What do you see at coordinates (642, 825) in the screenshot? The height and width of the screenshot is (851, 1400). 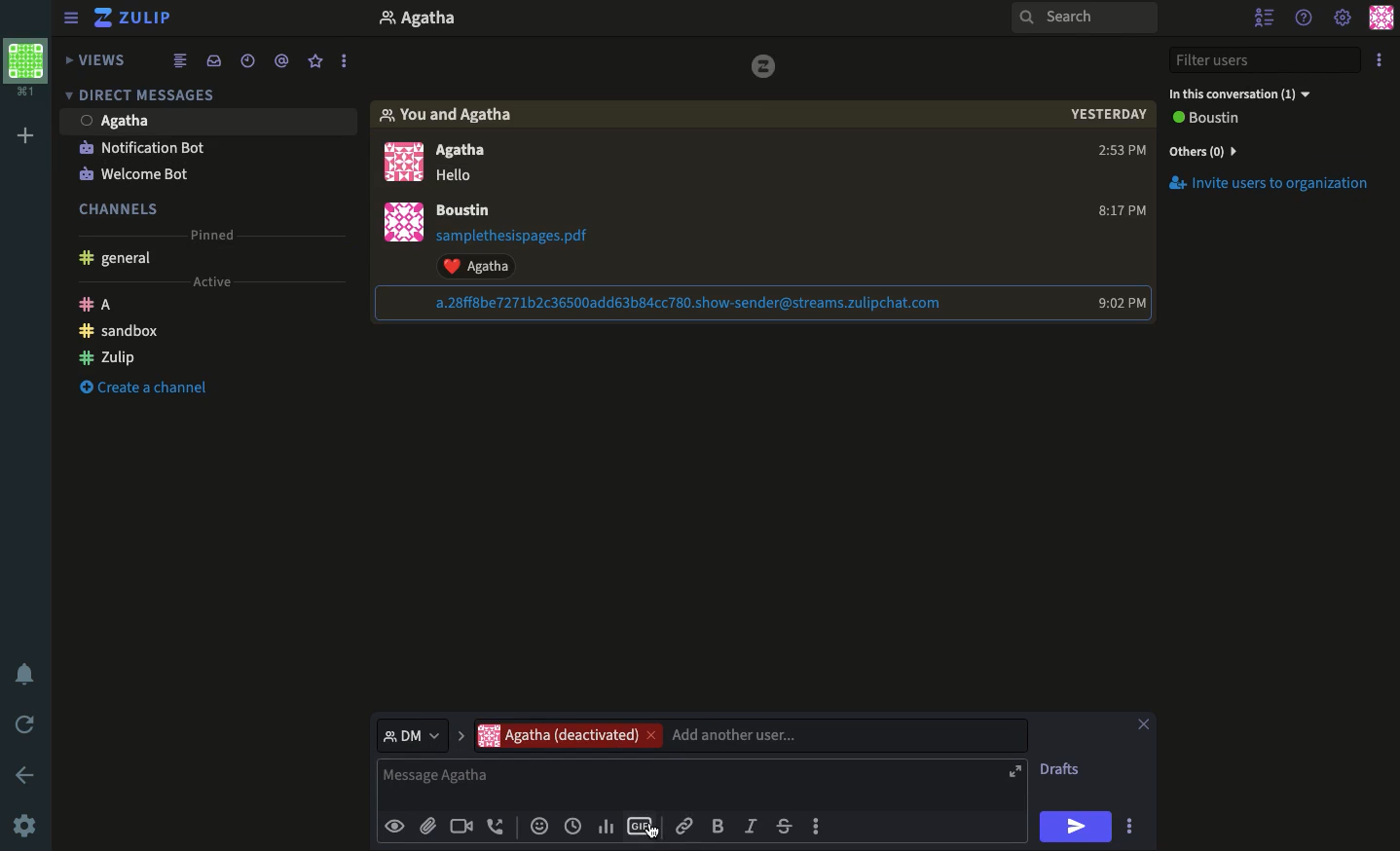 I see `GIF` at bounding box center [642, 825].